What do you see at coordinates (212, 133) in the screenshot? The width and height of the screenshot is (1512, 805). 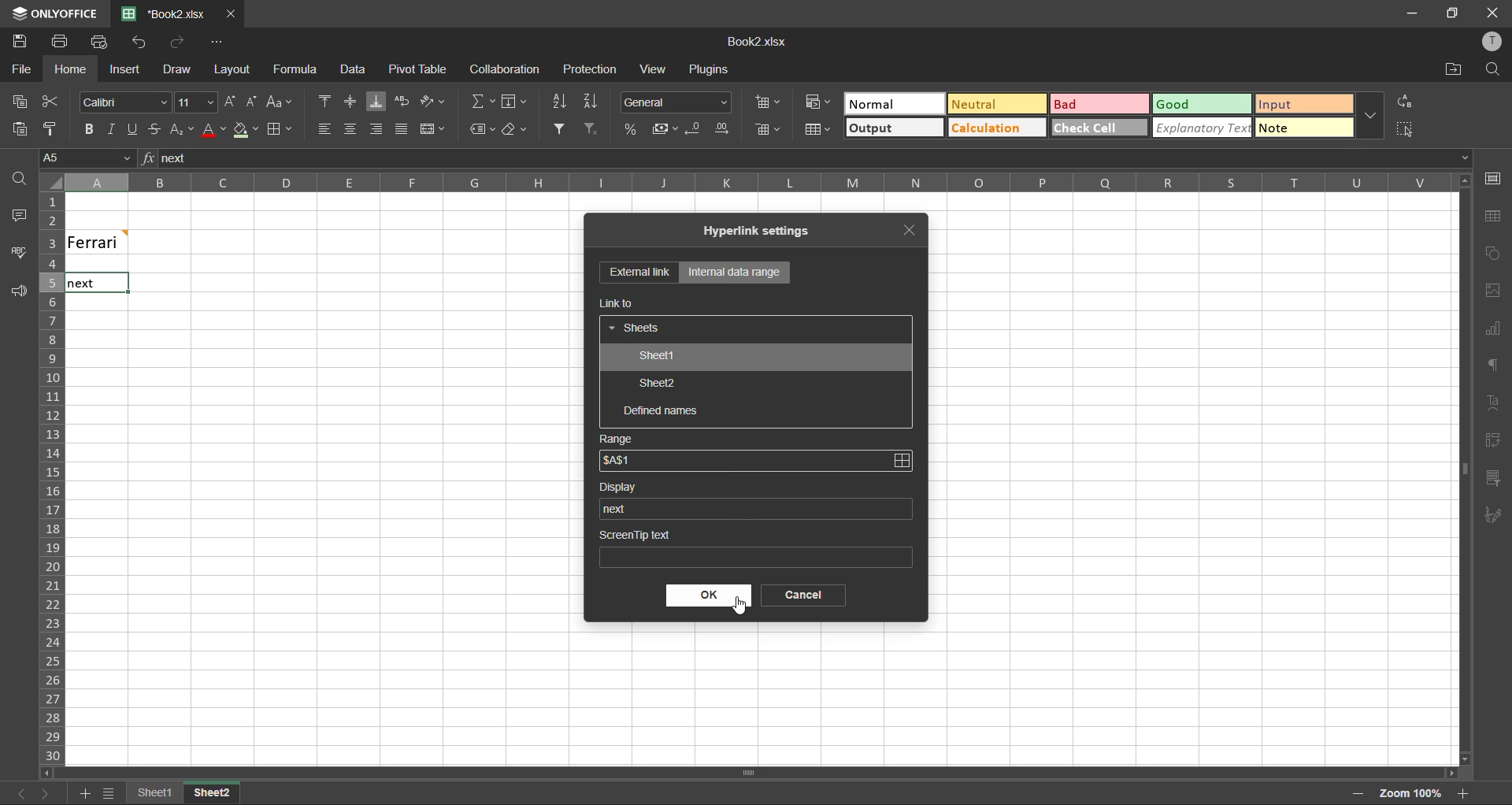 I see `font color` at bounding box center [212, 133].